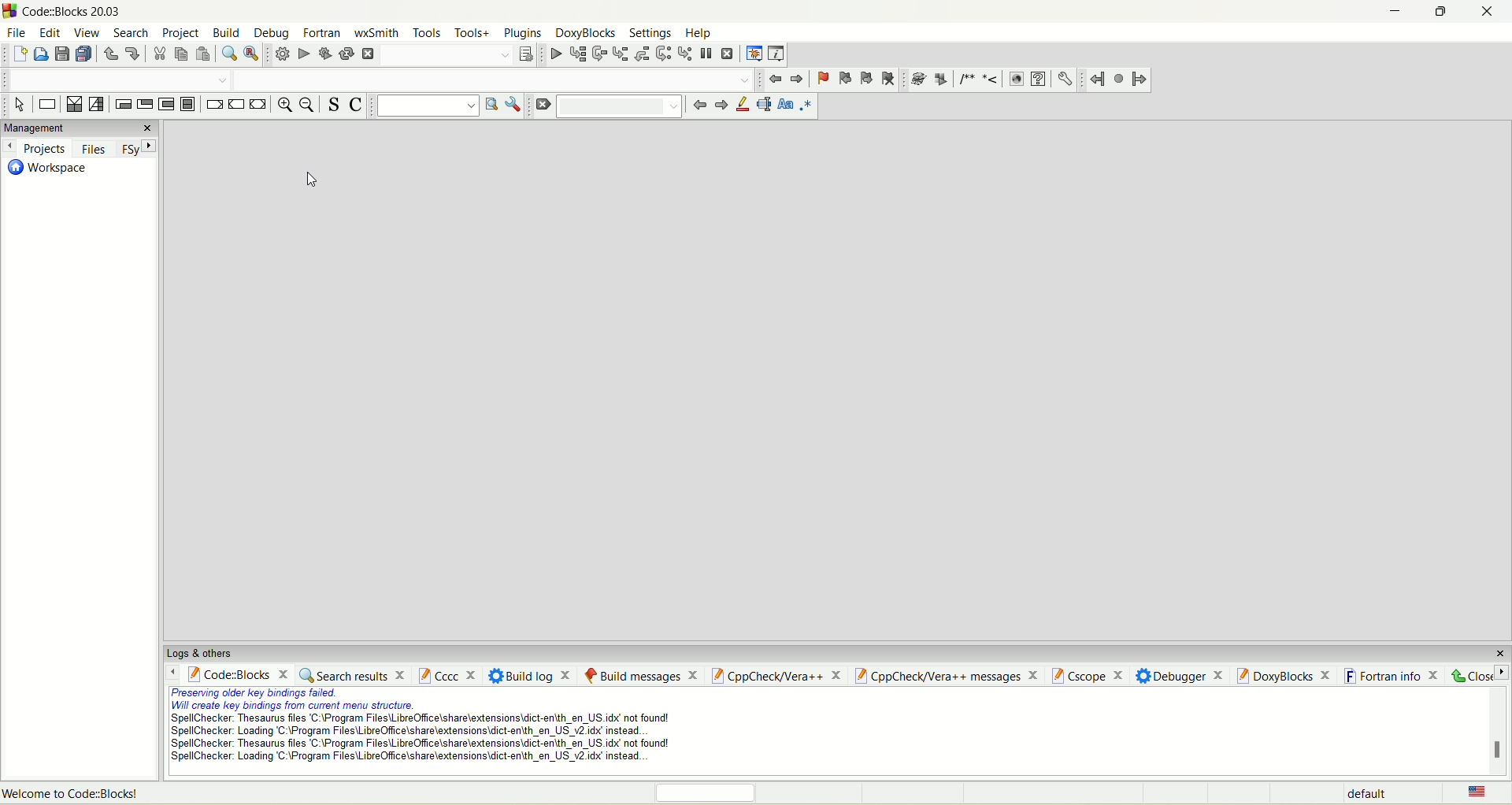  I want to click on logo, so click(11, 11).